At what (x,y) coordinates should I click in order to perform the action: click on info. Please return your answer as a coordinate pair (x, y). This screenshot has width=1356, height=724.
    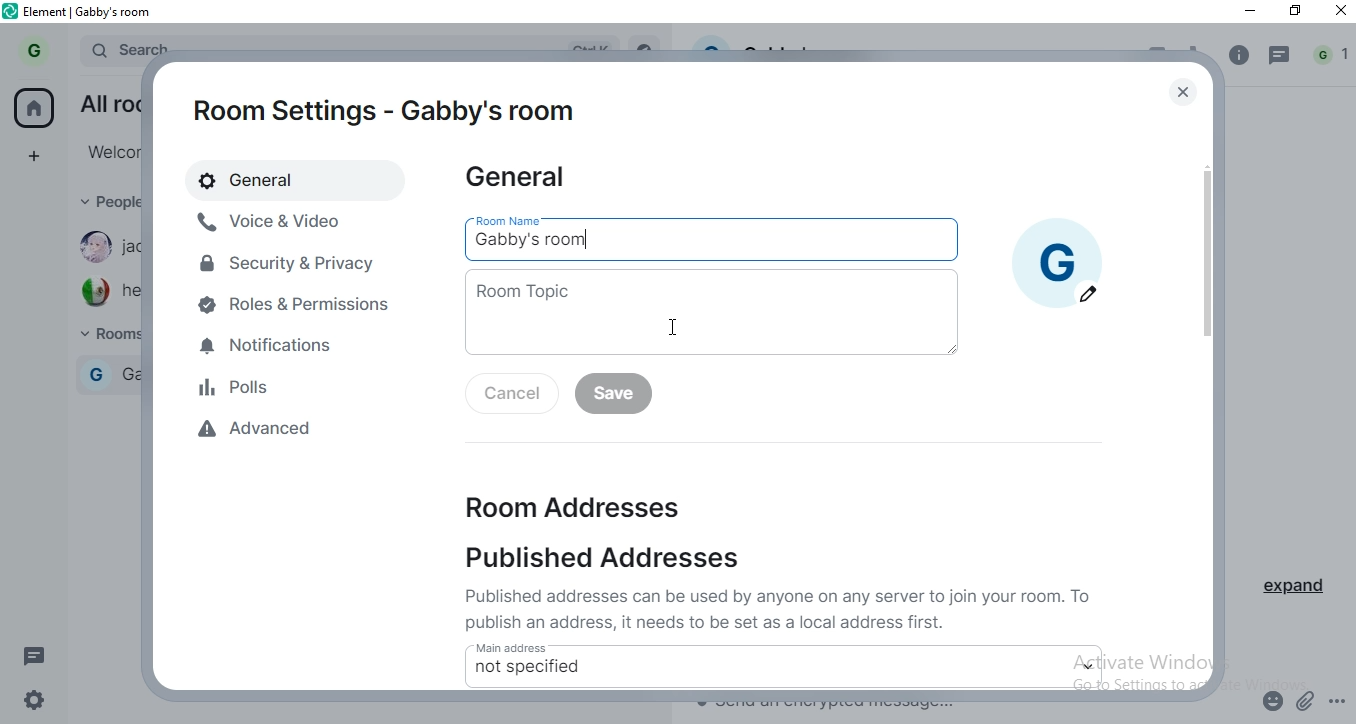
    Looking at the image, I should click on (1239, 55).